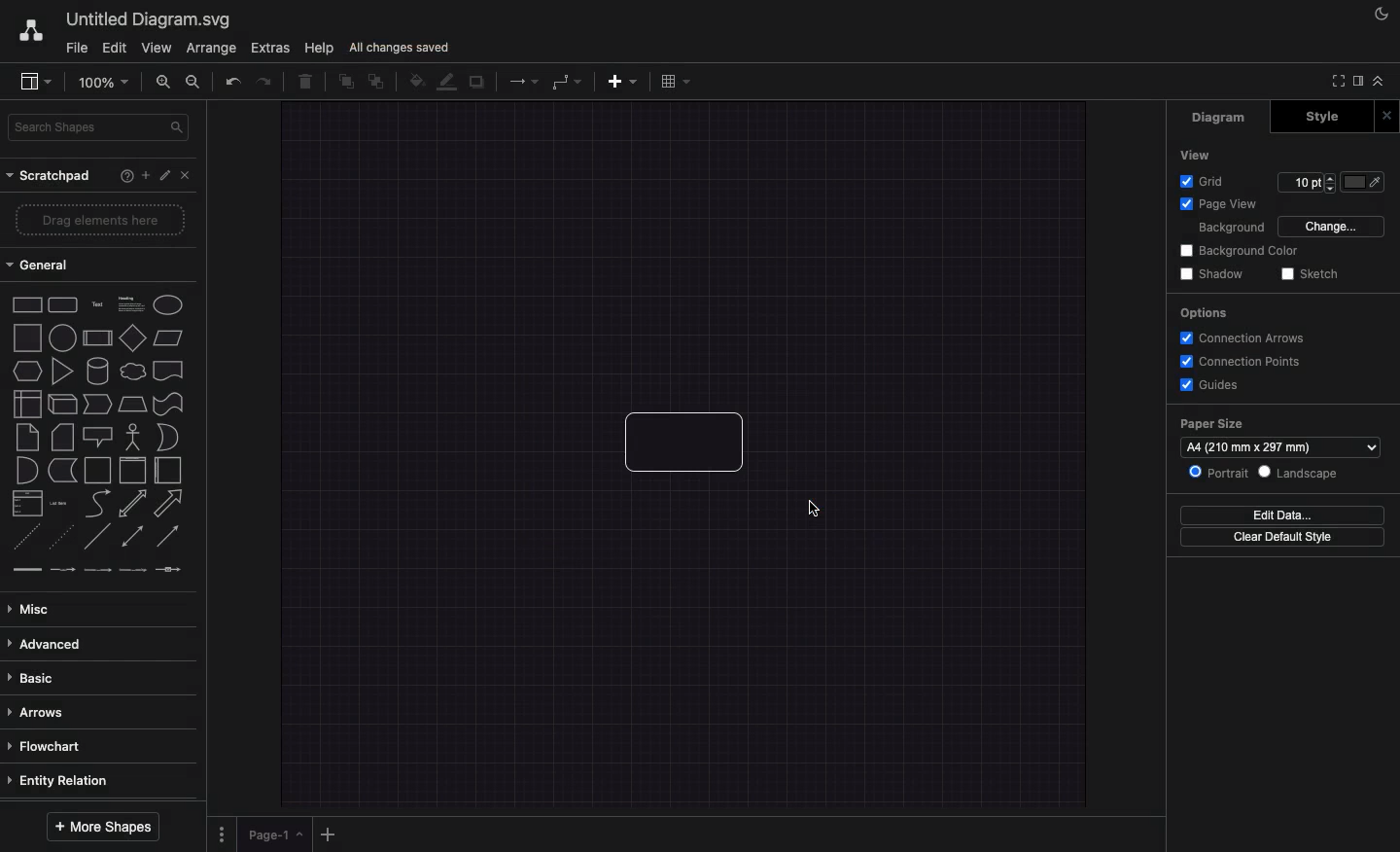 Image resolution: width=1400 pixels, height=852 pixels. Describe the element at coordinates (44, 747) in the screenshot. I see `Flowchart` at that location.